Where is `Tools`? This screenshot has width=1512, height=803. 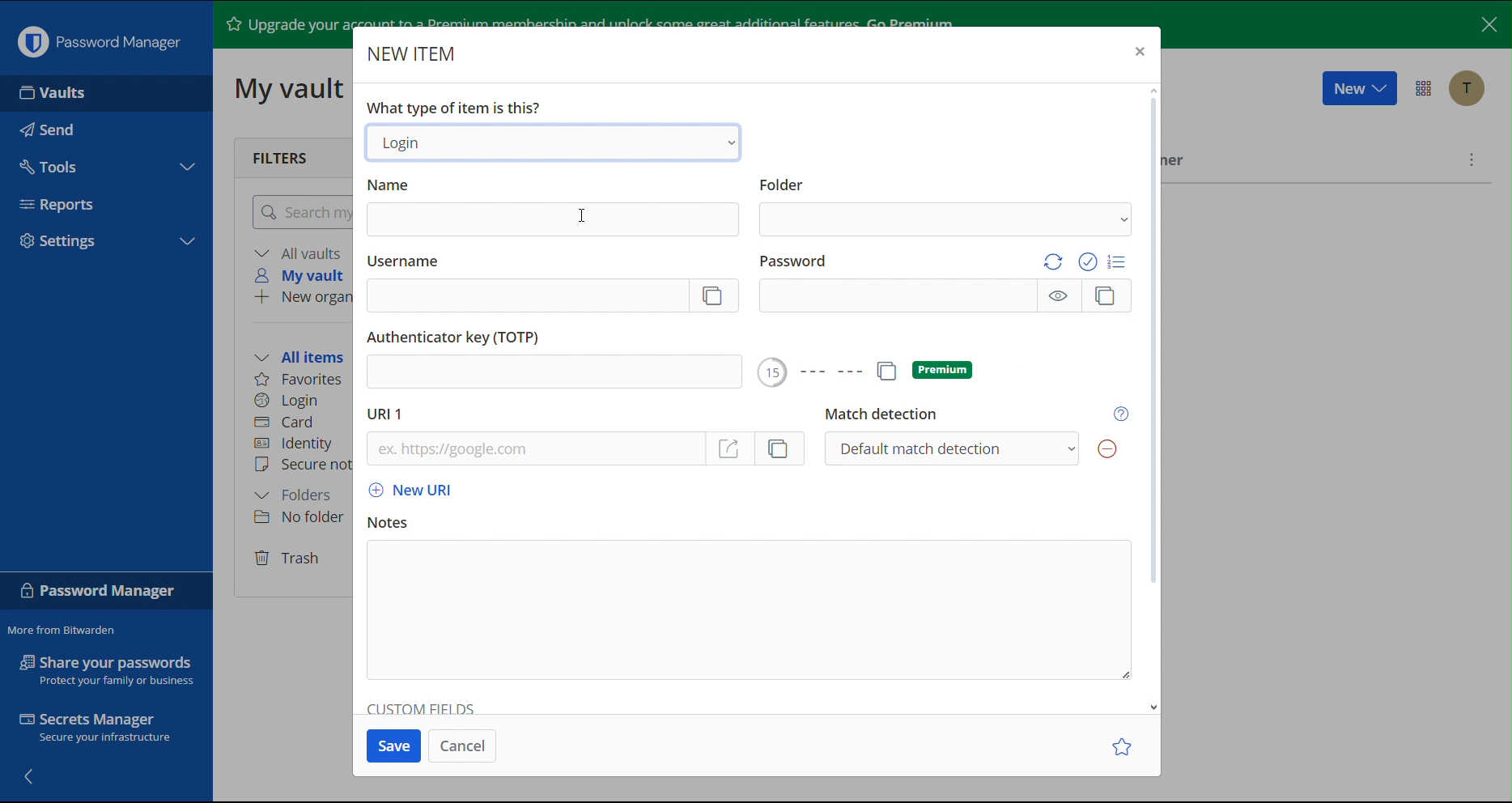
Tools is located at coordinates (102, 164).